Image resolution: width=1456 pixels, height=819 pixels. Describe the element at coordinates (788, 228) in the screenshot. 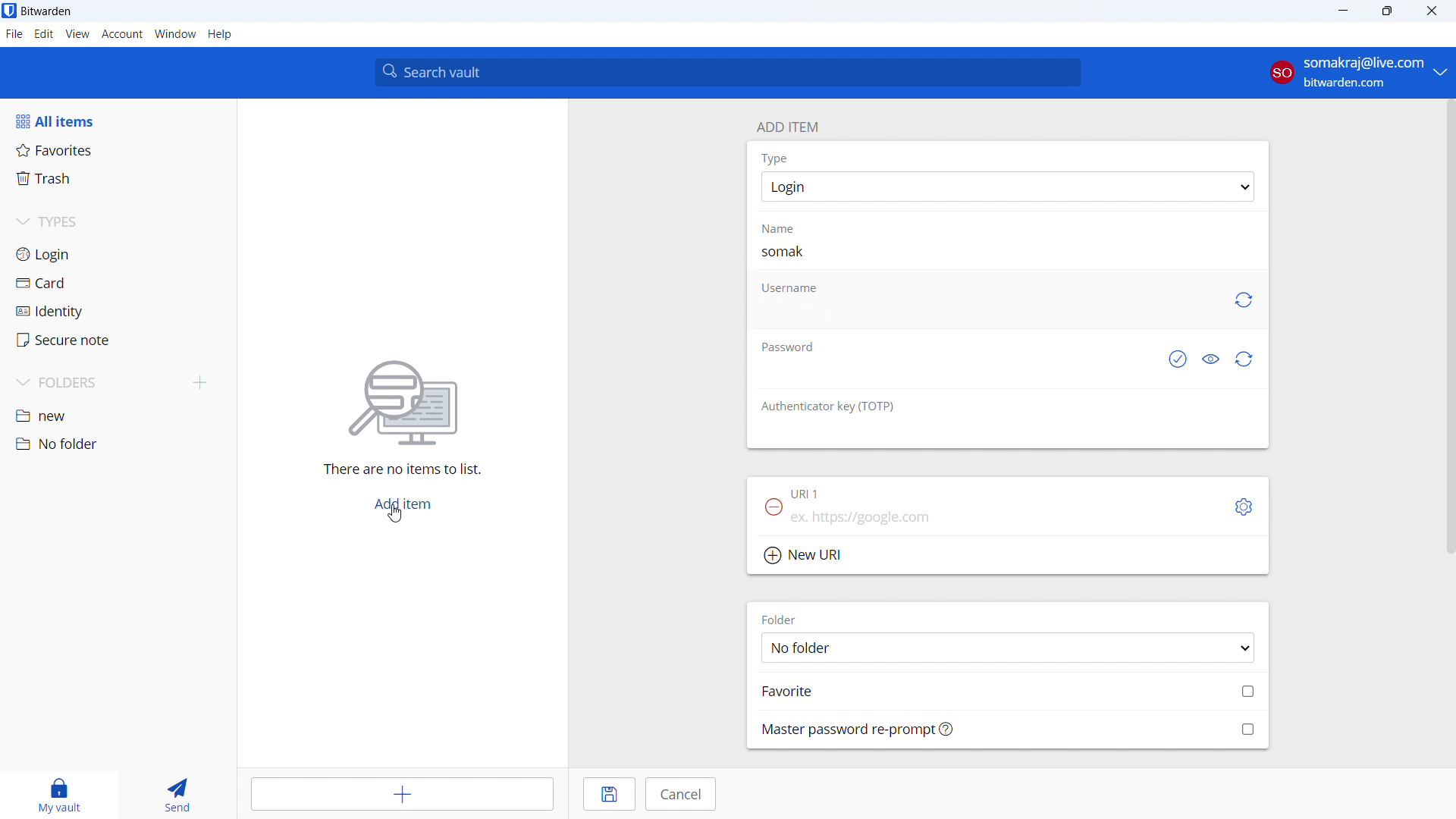

I see `name` at that location.